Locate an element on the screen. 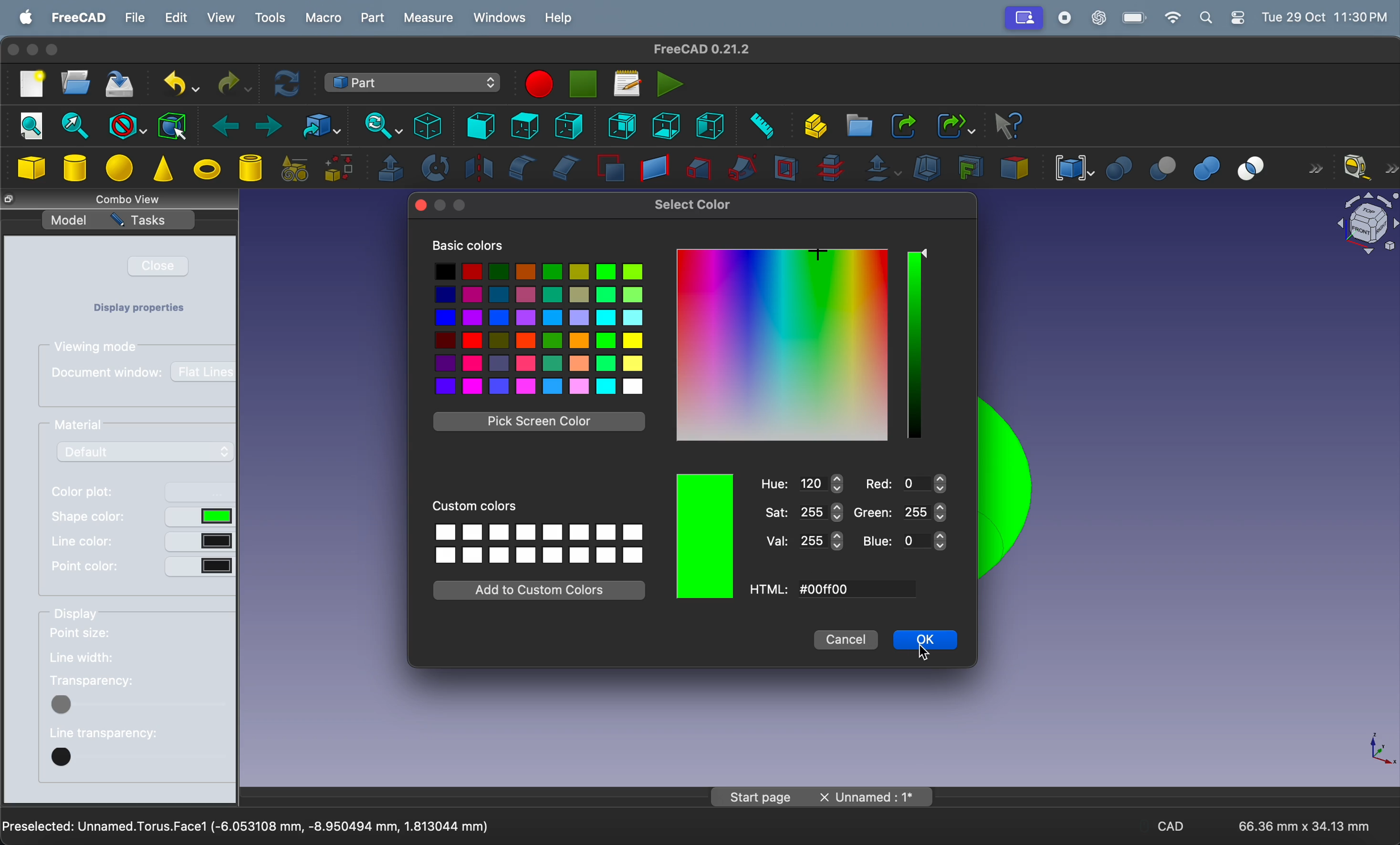 The width and height of the screenshot is (1400, 845). chatgpt is located at coordinates (1098, 16).